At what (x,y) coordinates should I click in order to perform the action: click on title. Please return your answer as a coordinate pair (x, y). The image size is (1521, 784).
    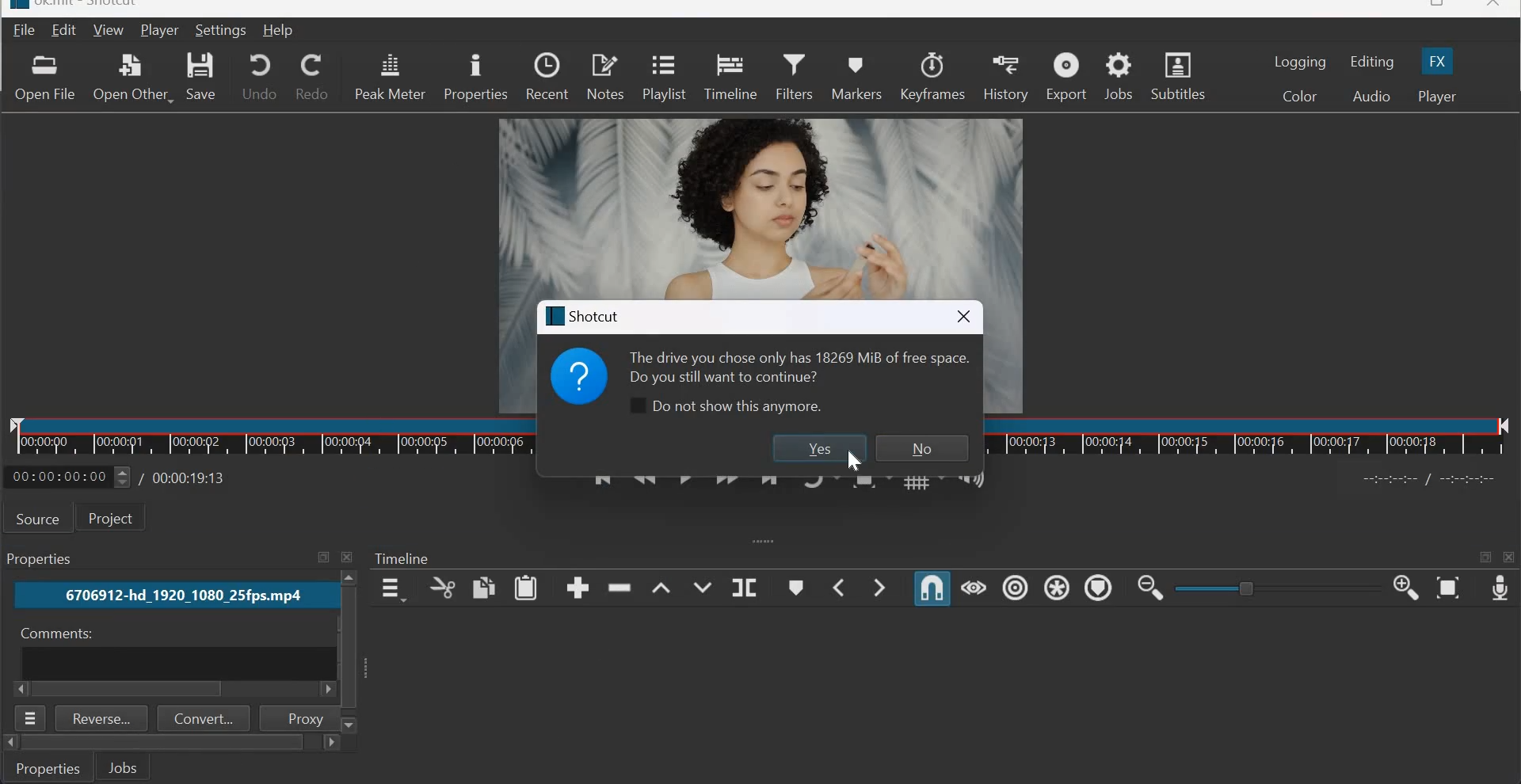
    Looking at the image, I should click on (585, 315).